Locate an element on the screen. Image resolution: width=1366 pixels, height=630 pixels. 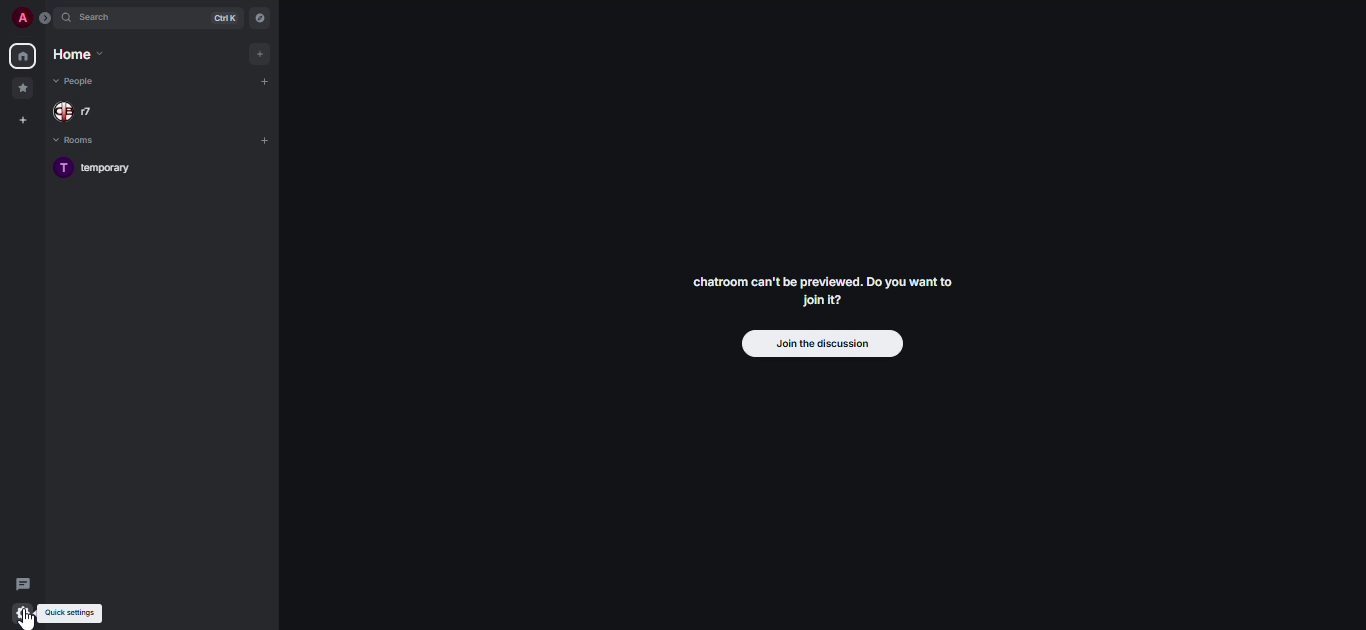
room is located at coordinates (98, 169).